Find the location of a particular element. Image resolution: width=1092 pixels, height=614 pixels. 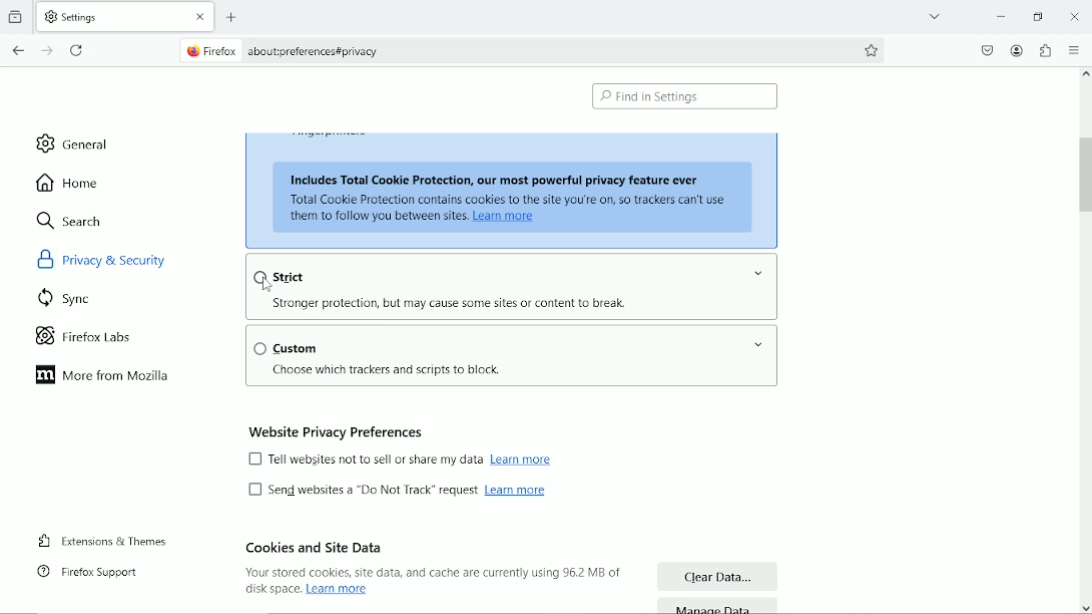

Checkbox  is located at coordinates (260, 277).